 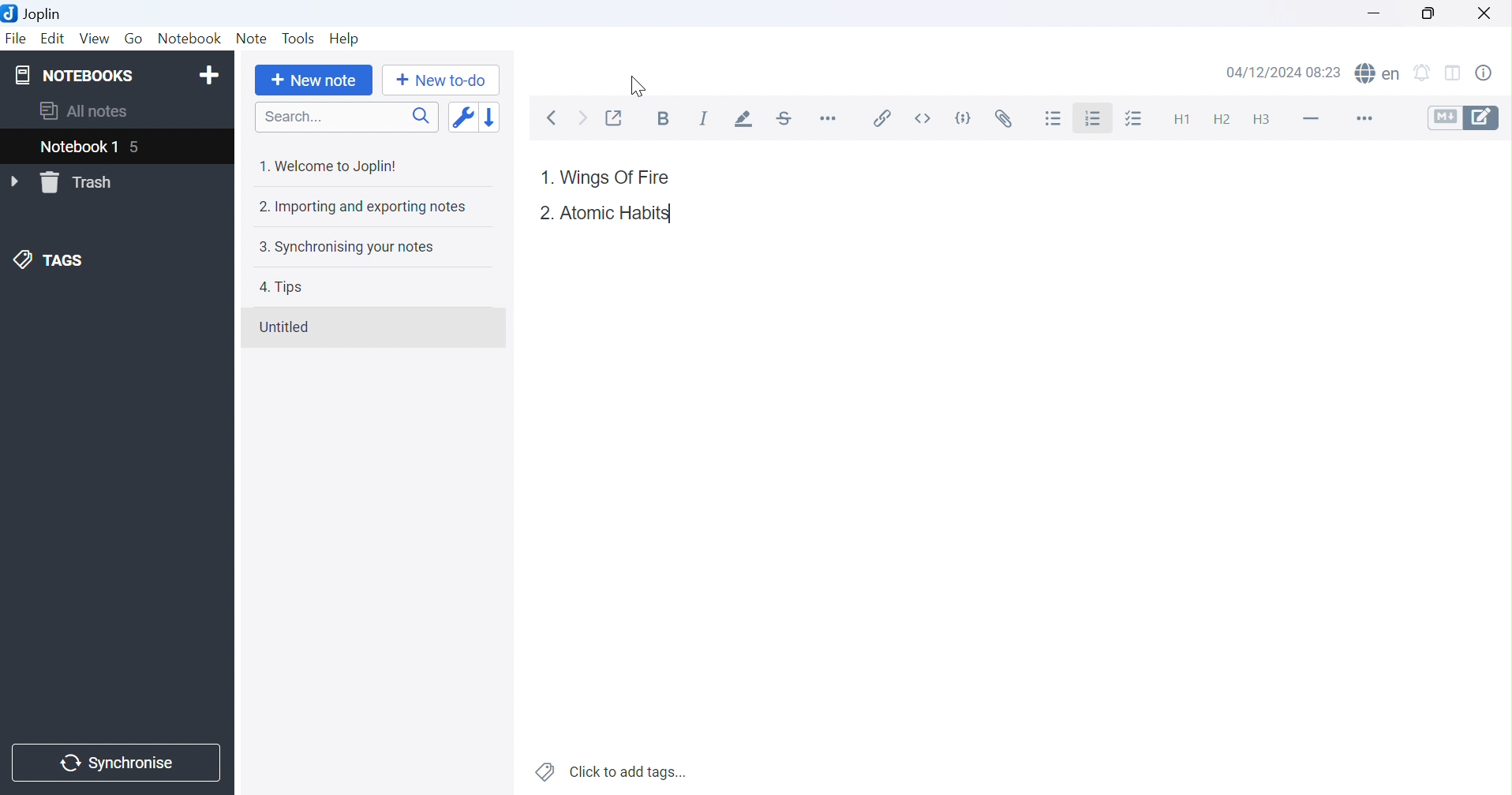 I want to click on Back, so click(x=556, y=118).